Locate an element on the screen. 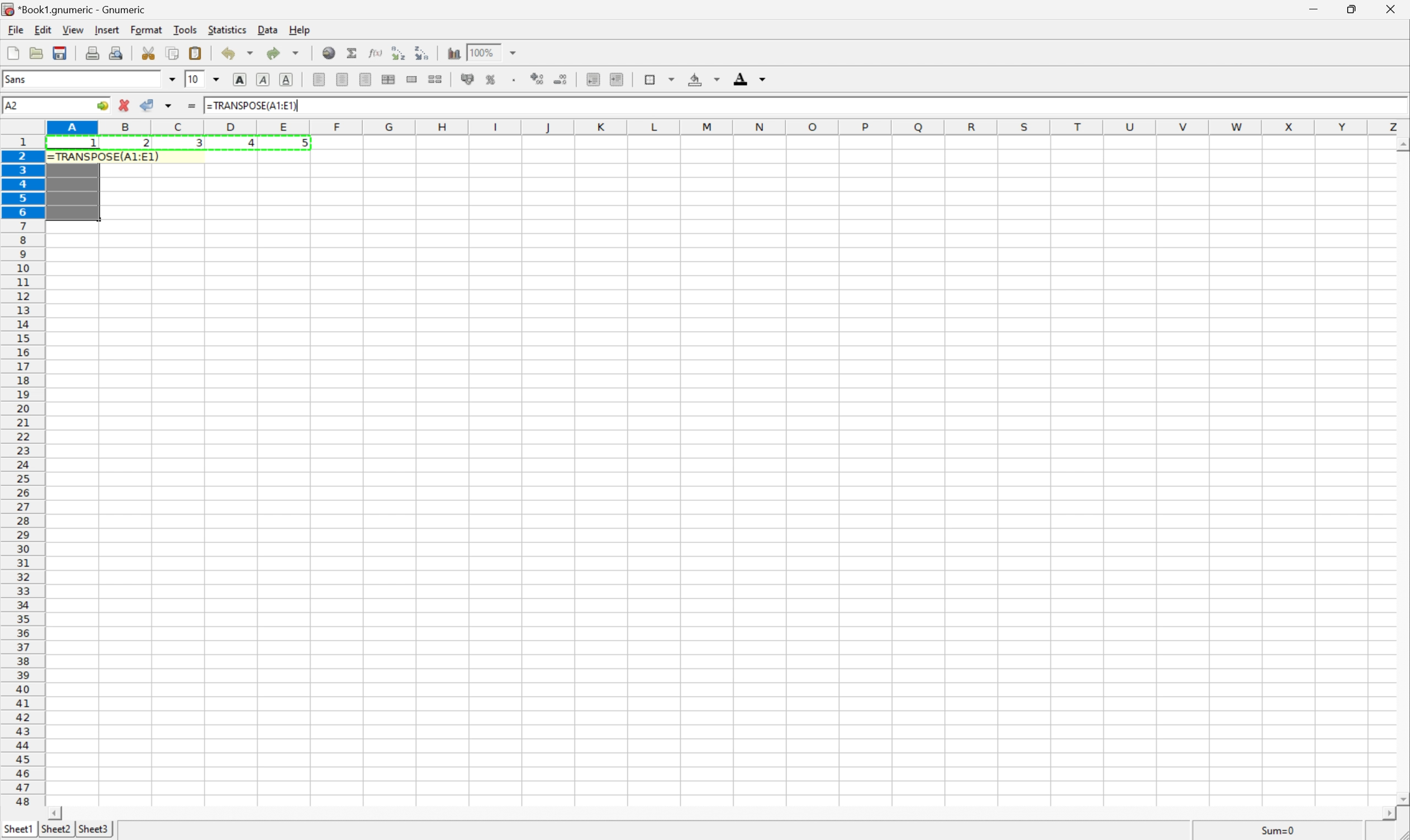 This screenshot has height=840, width=1410. selected cells is located at coordinates (74, 192).